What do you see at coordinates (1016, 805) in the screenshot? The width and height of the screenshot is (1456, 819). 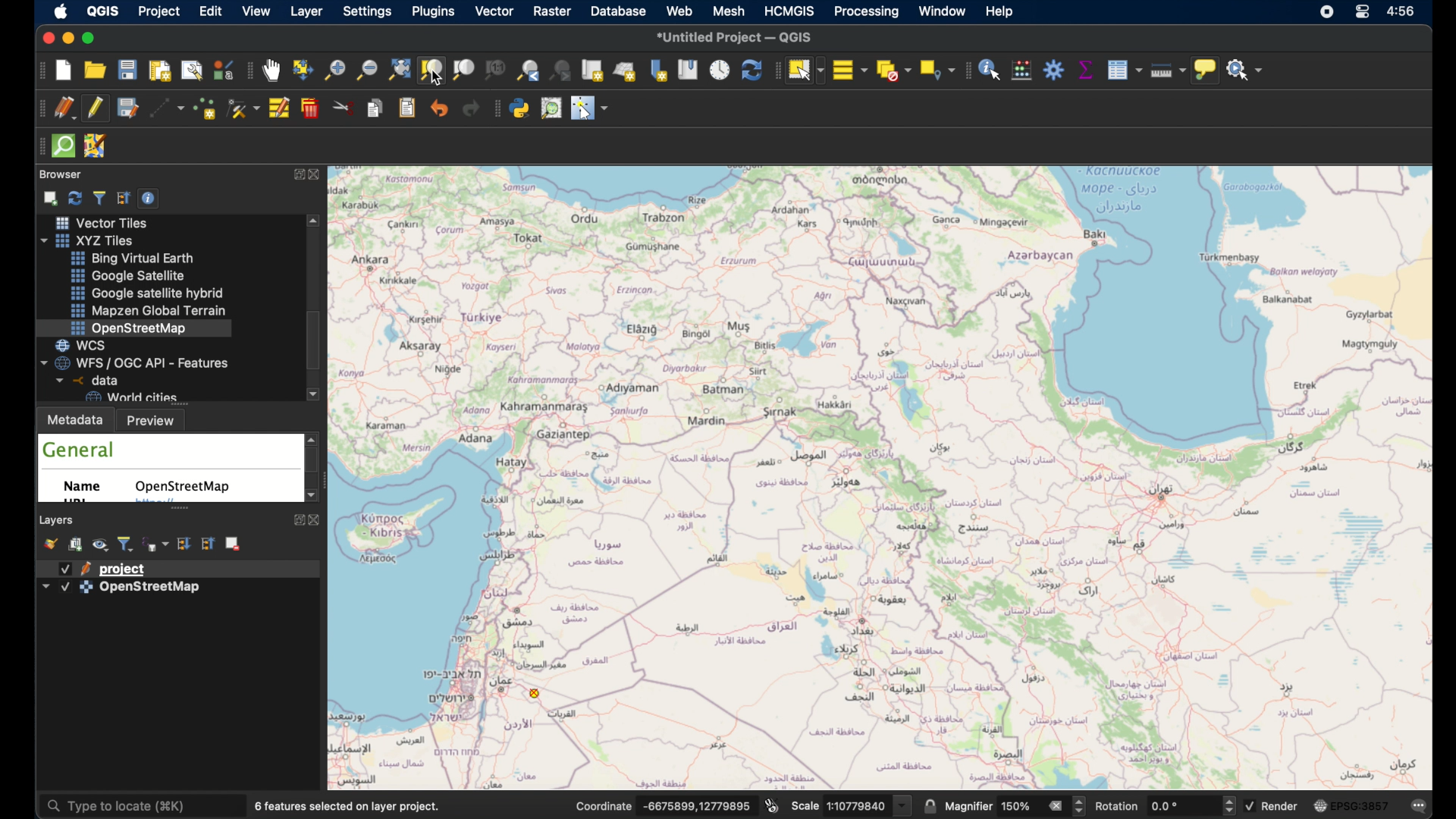 I see `magnifier value` at bounding box center [1016, 805].